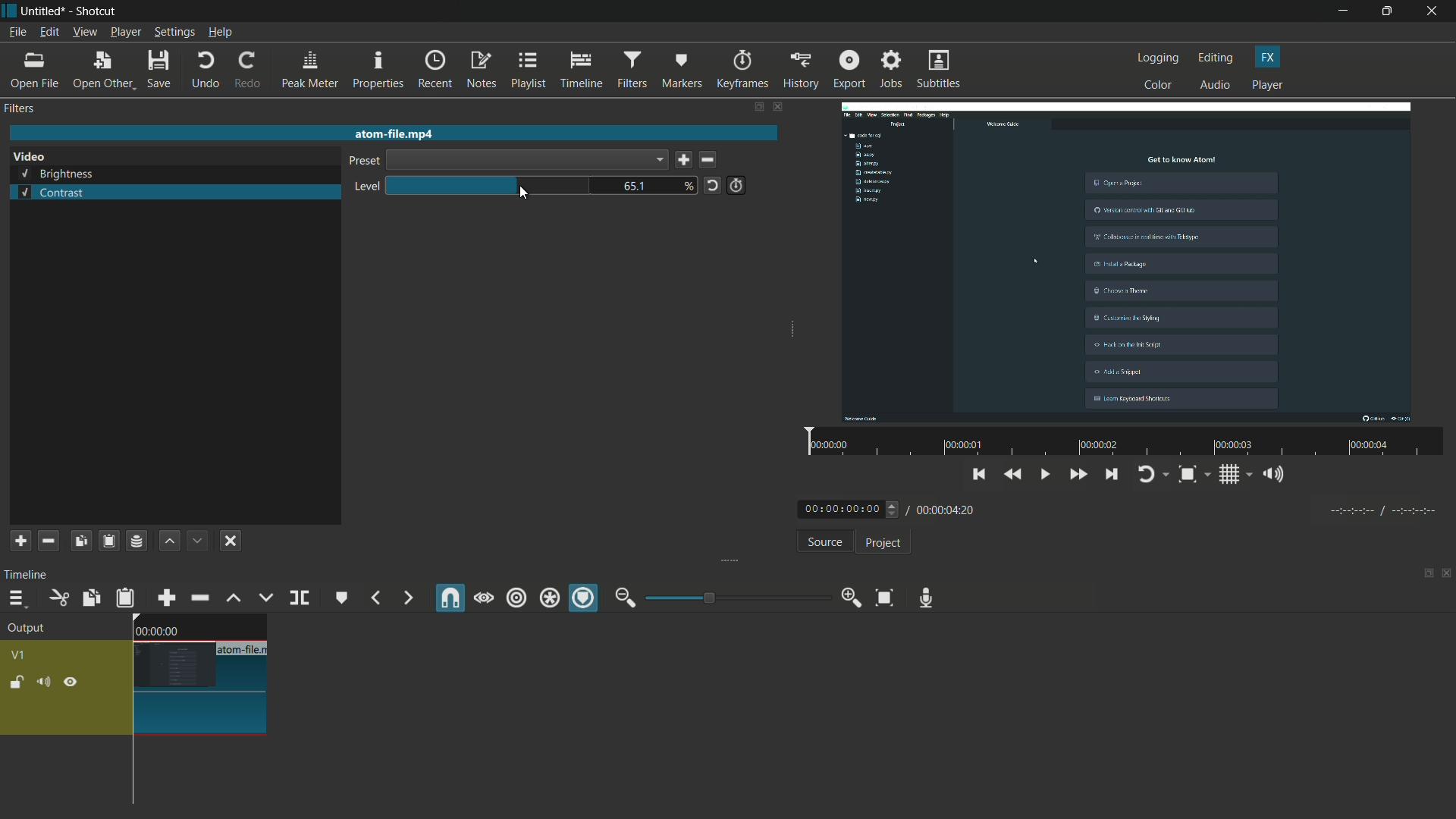 The height and width of the screenshot is (819, 1456). What do you see at coordinates (848, 69) in the screenshot?
I see `export` at bounding box center [848, 69].